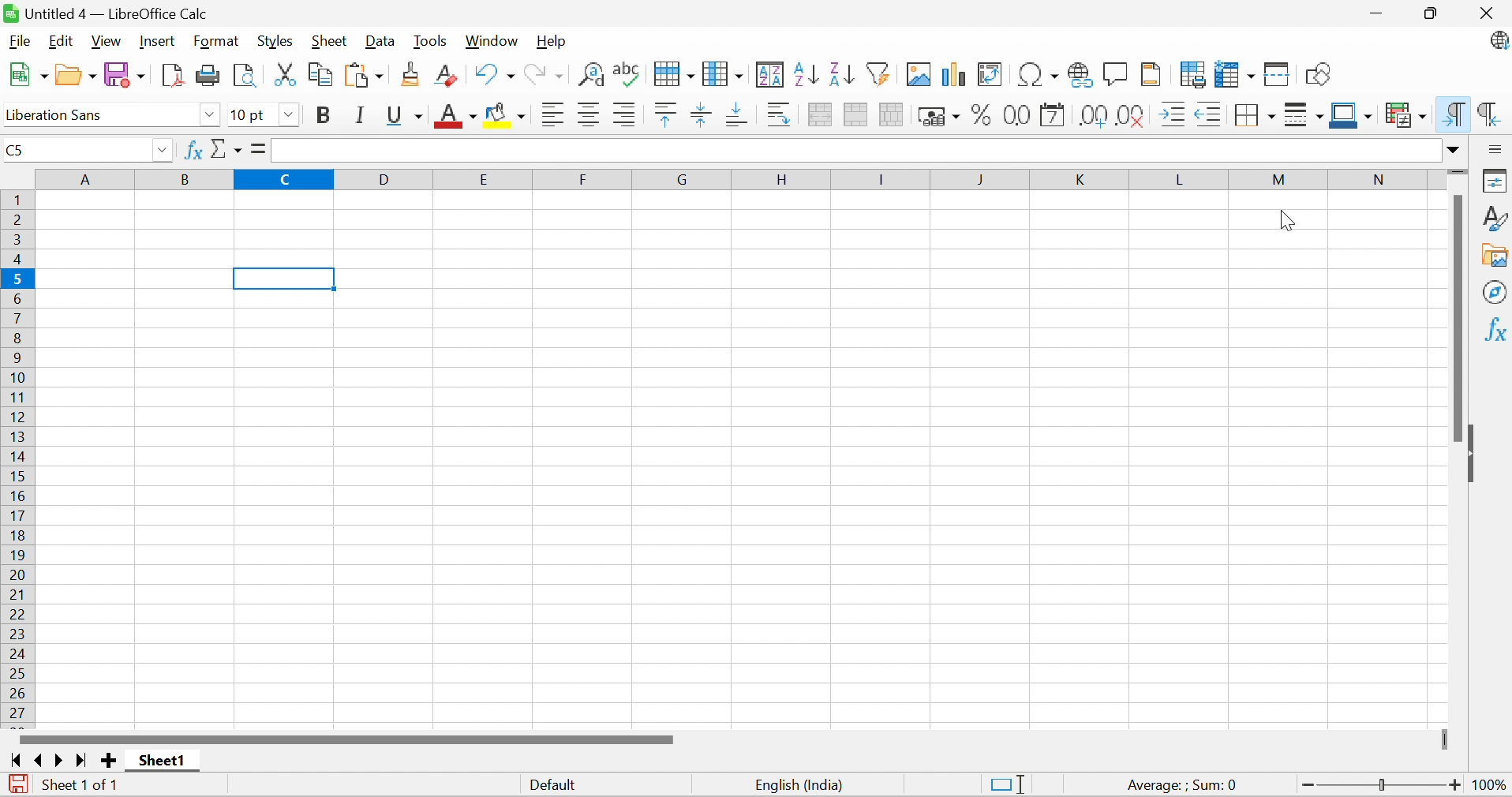  What do you see at coordinates (322, 115) in the screenshot?
I see `Bold` at bounding box center [322, 115].